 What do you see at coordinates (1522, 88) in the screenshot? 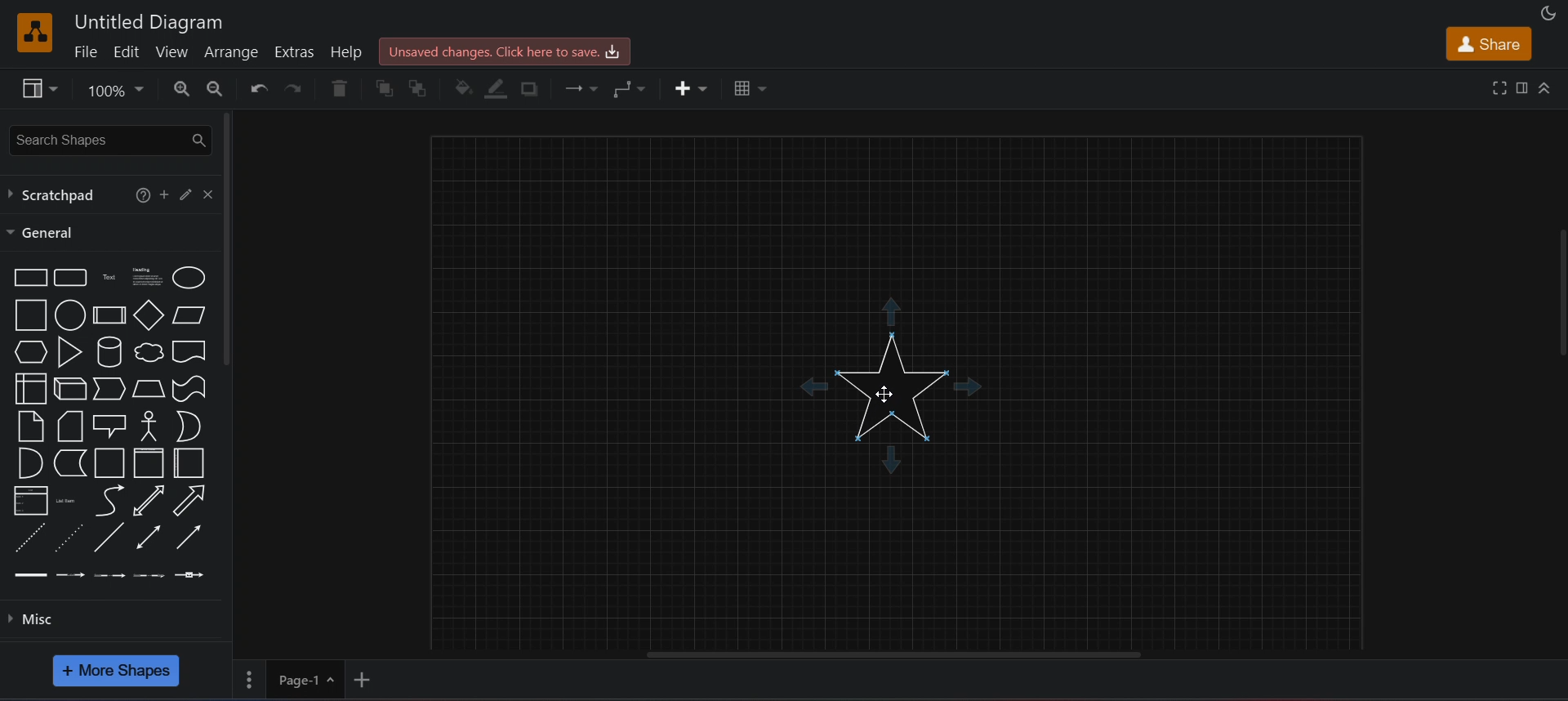
I see `format` at bounding box center [1522, 88].